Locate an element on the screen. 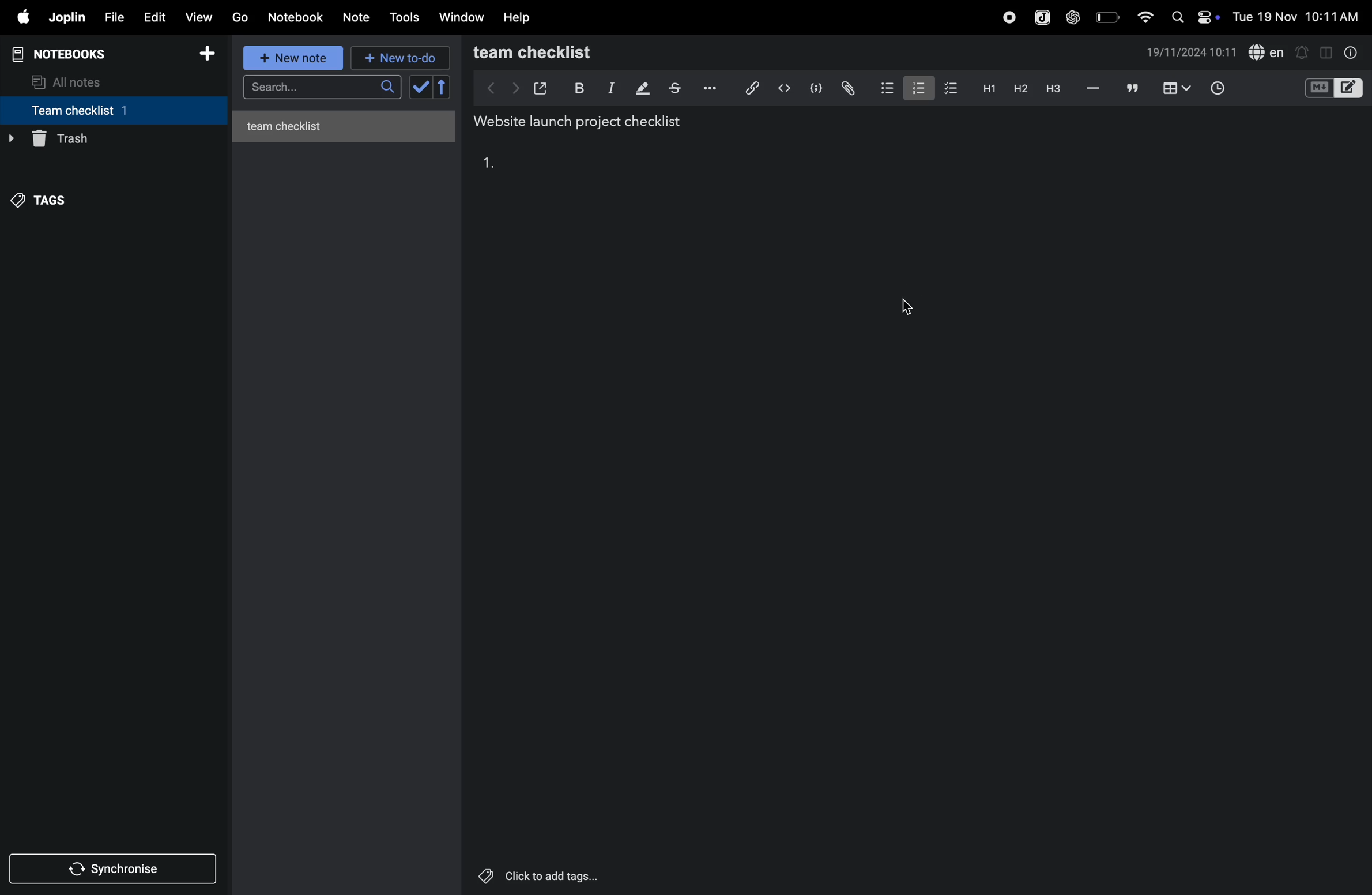 The width and height of the screenshot is (1372, 895). new to d0 is located at coordinates (398, 58).